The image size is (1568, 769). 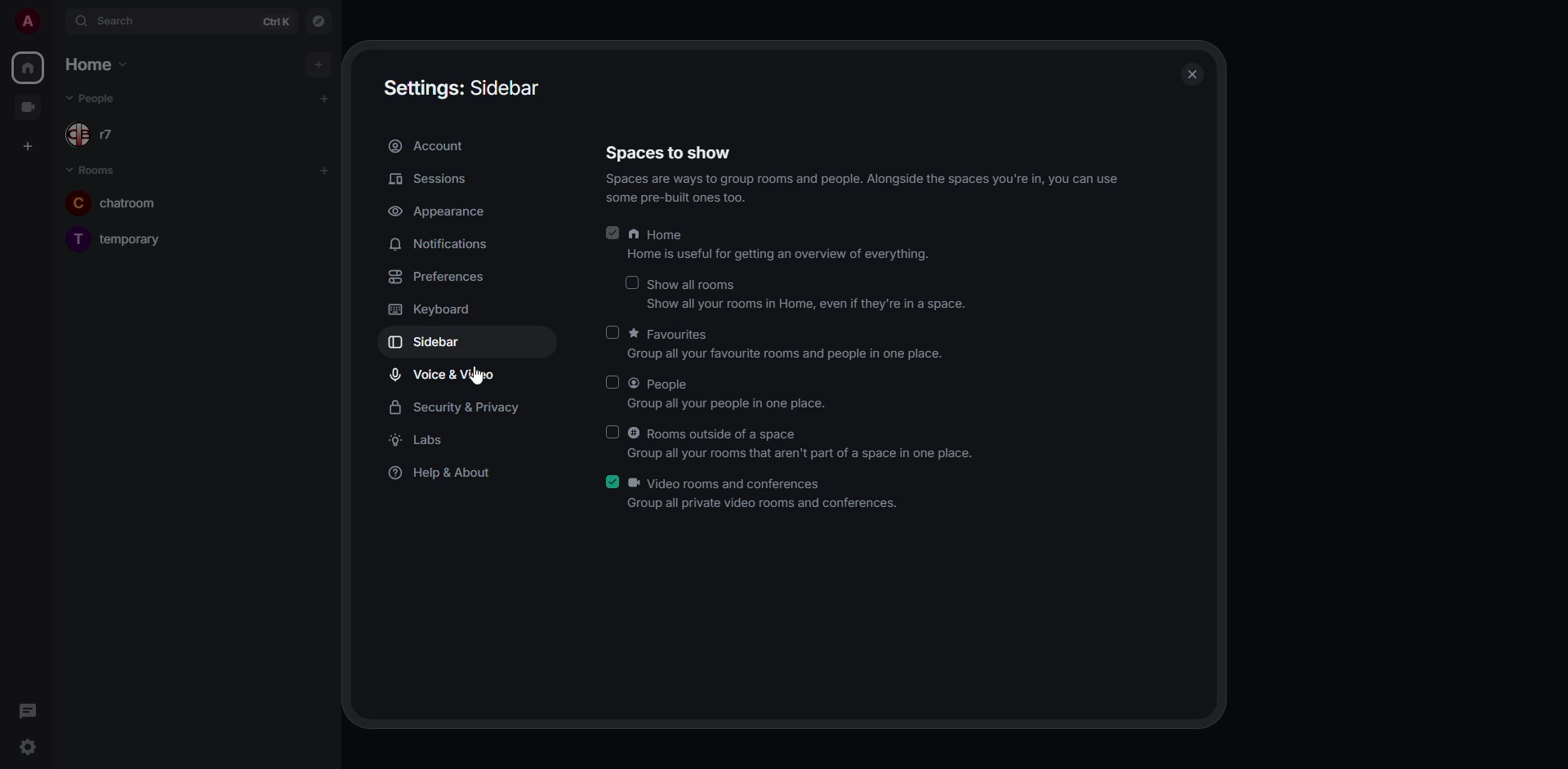 I want to click on add, so click(x=326, y=172).